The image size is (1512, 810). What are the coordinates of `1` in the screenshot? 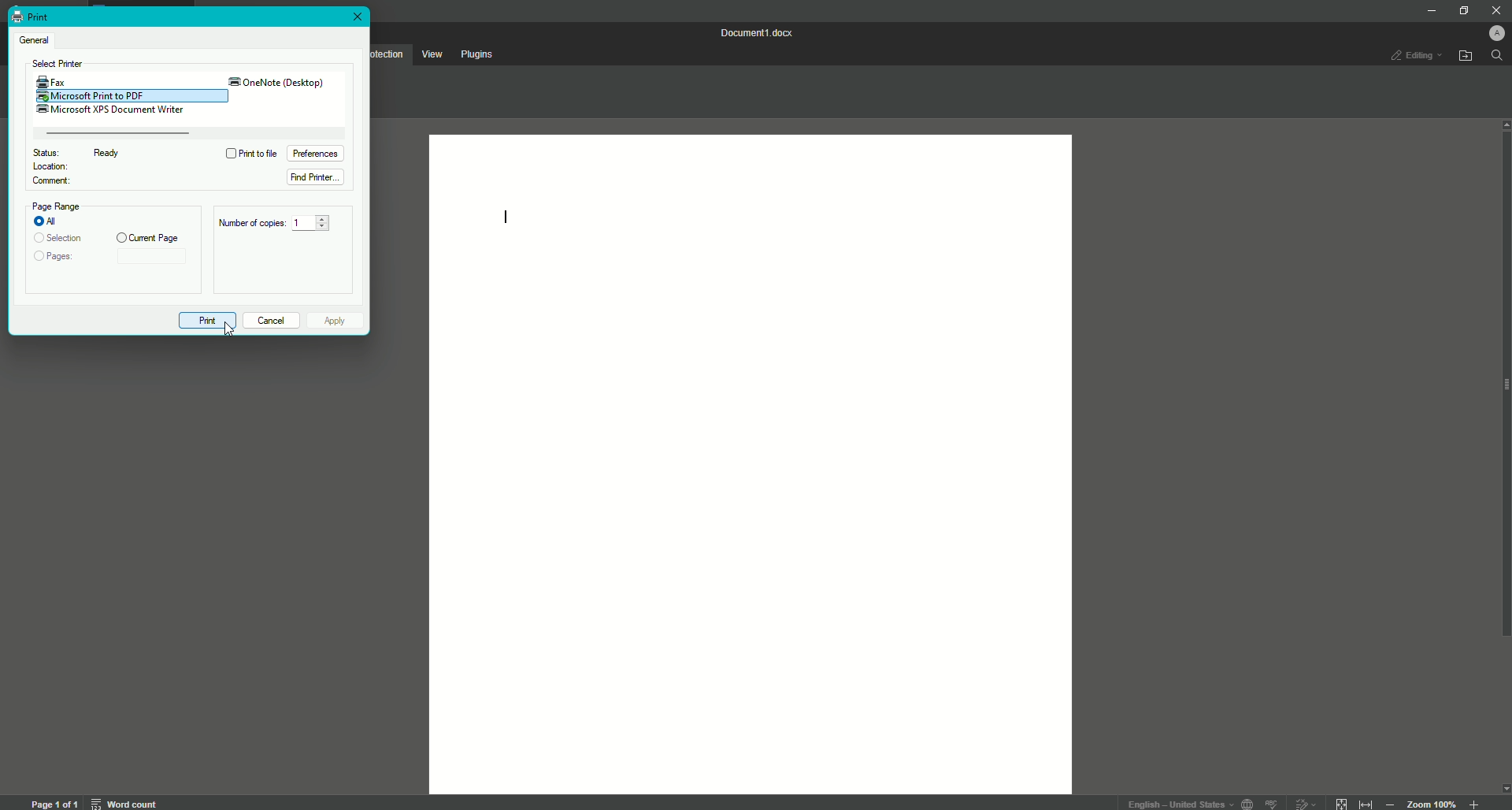 It's located at (310, 223).